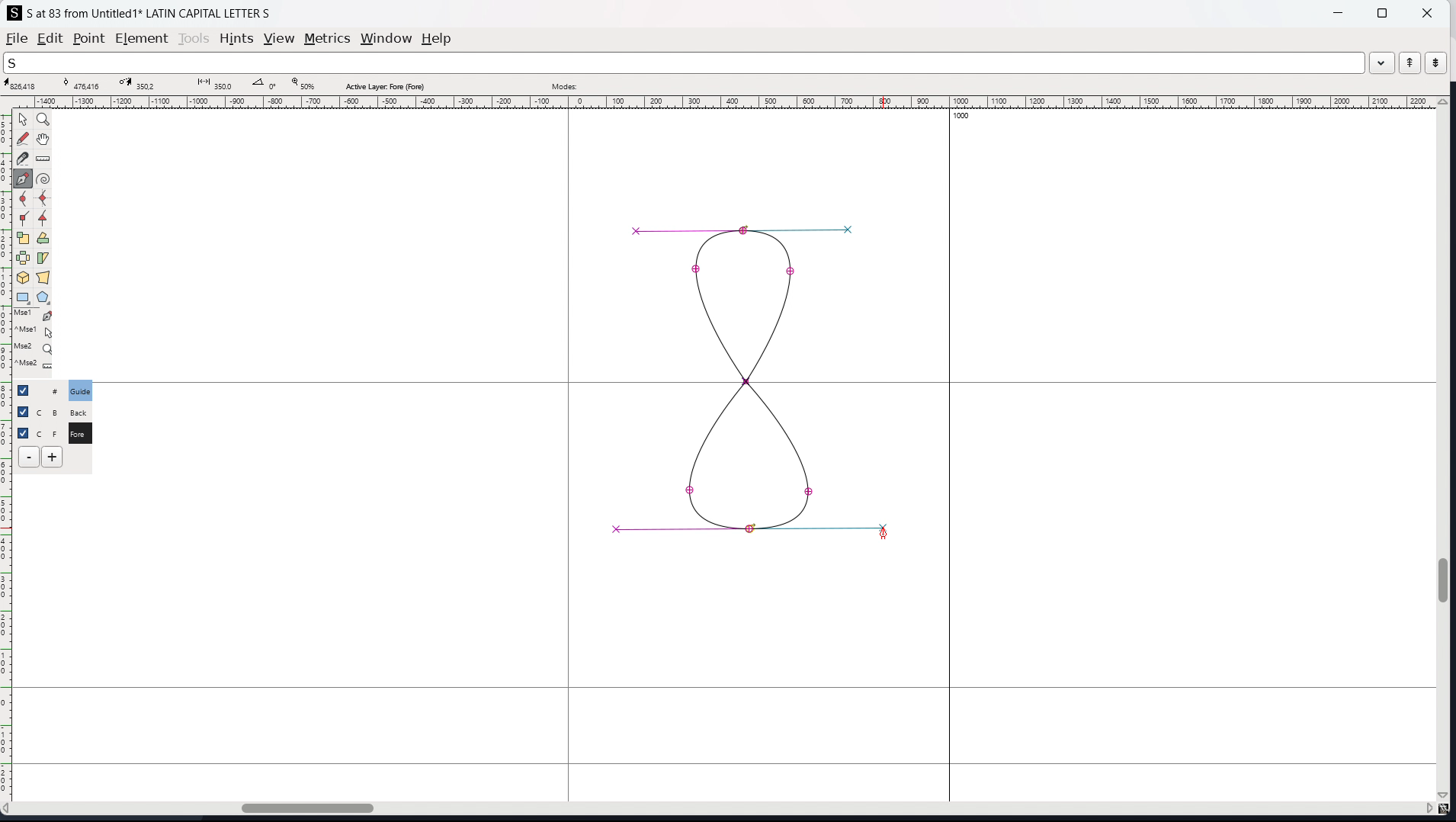 The width and height of the screenshot is (1456, 822). Describe the element at coordinates (43, 219) in the screenshot. I see `add a tangent point` at that location.